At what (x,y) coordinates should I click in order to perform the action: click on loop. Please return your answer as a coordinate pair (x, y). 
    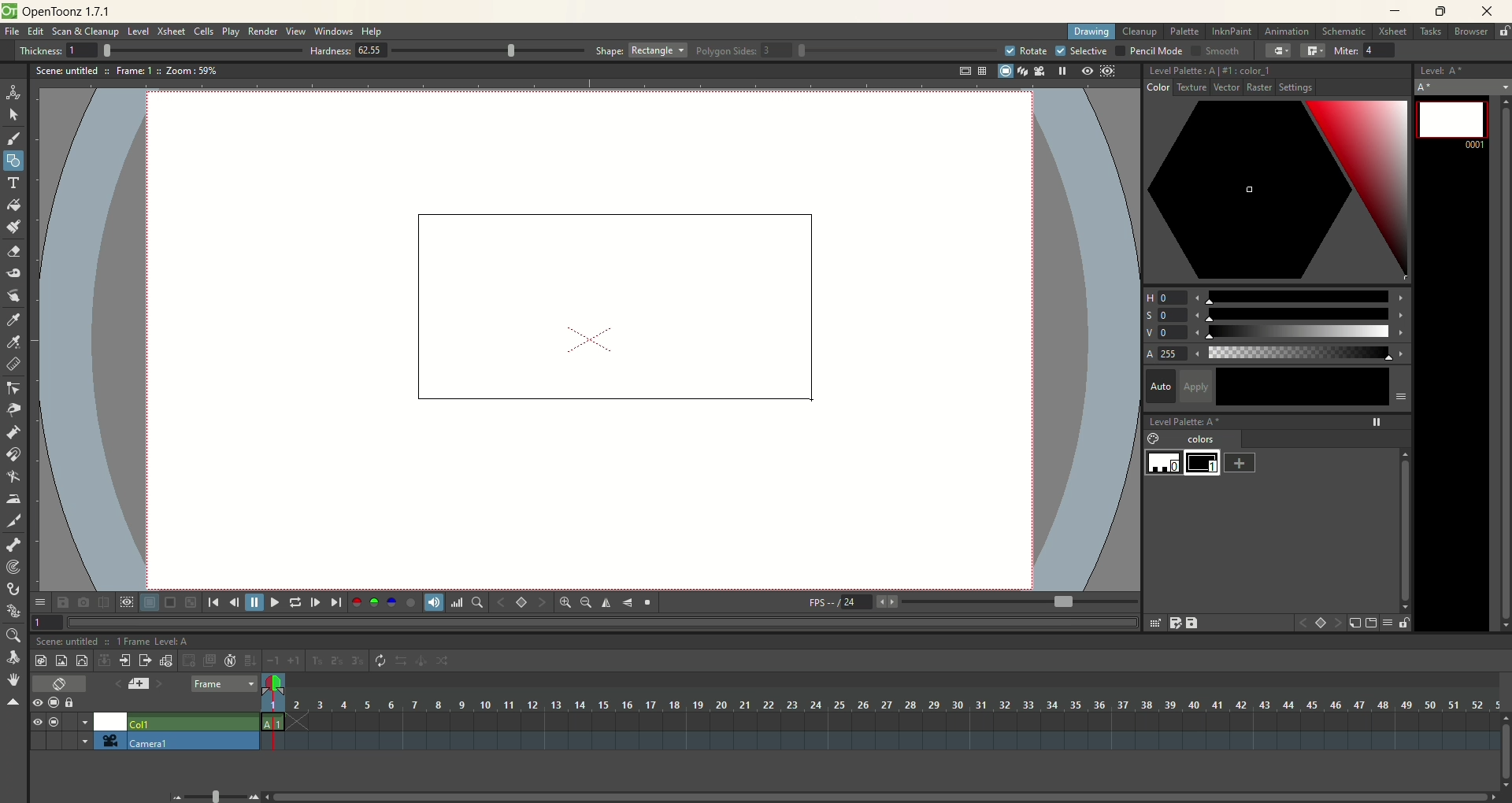
    Looking at the image, I should click on (295, 602).